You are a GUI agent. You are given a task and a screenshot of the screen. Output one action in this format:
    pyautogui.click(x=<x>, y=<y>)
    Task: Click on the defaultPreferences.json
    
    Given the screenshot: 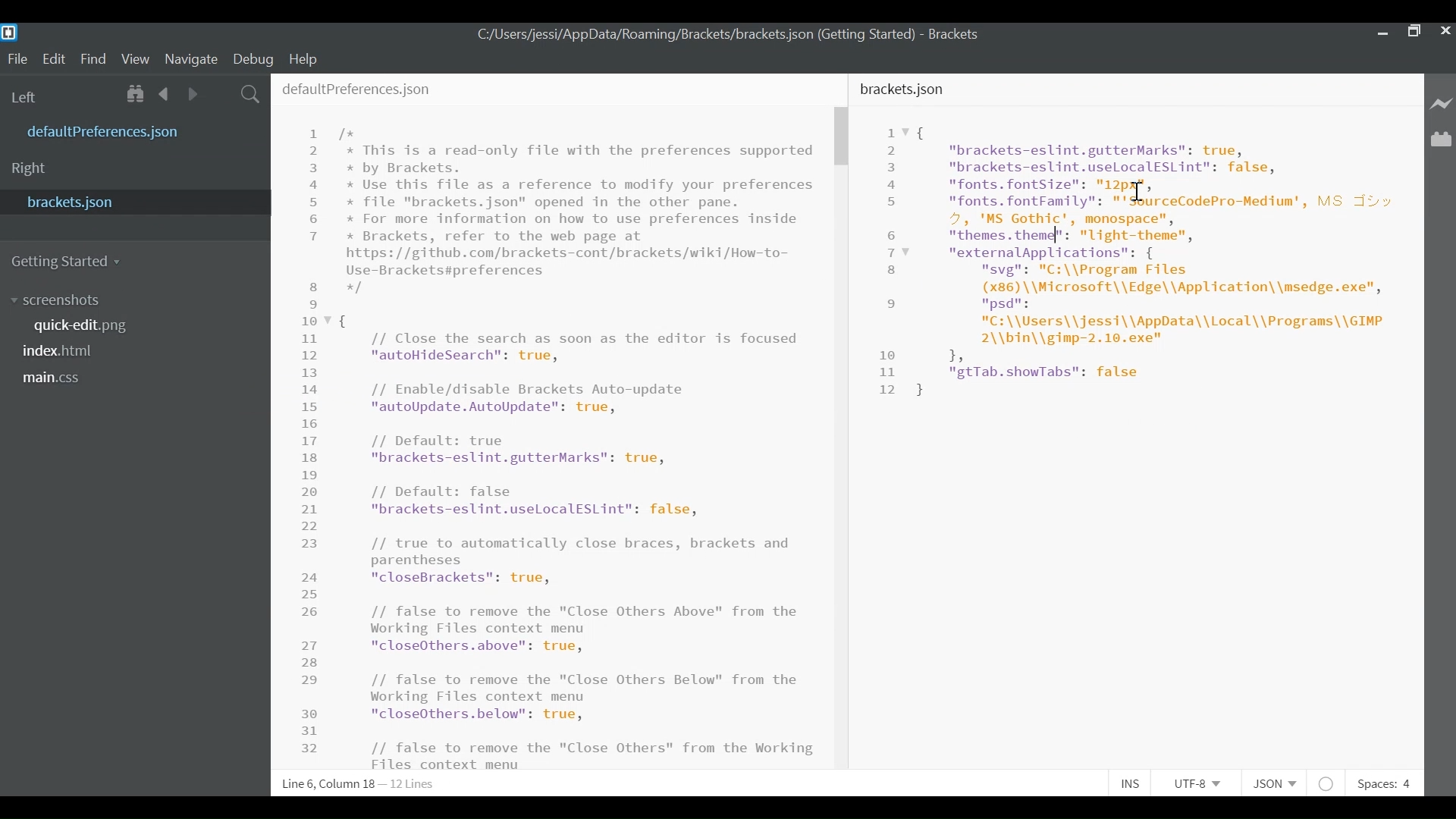 What is the action you would take?
    pyautogui.click(x=356, y=86)
    